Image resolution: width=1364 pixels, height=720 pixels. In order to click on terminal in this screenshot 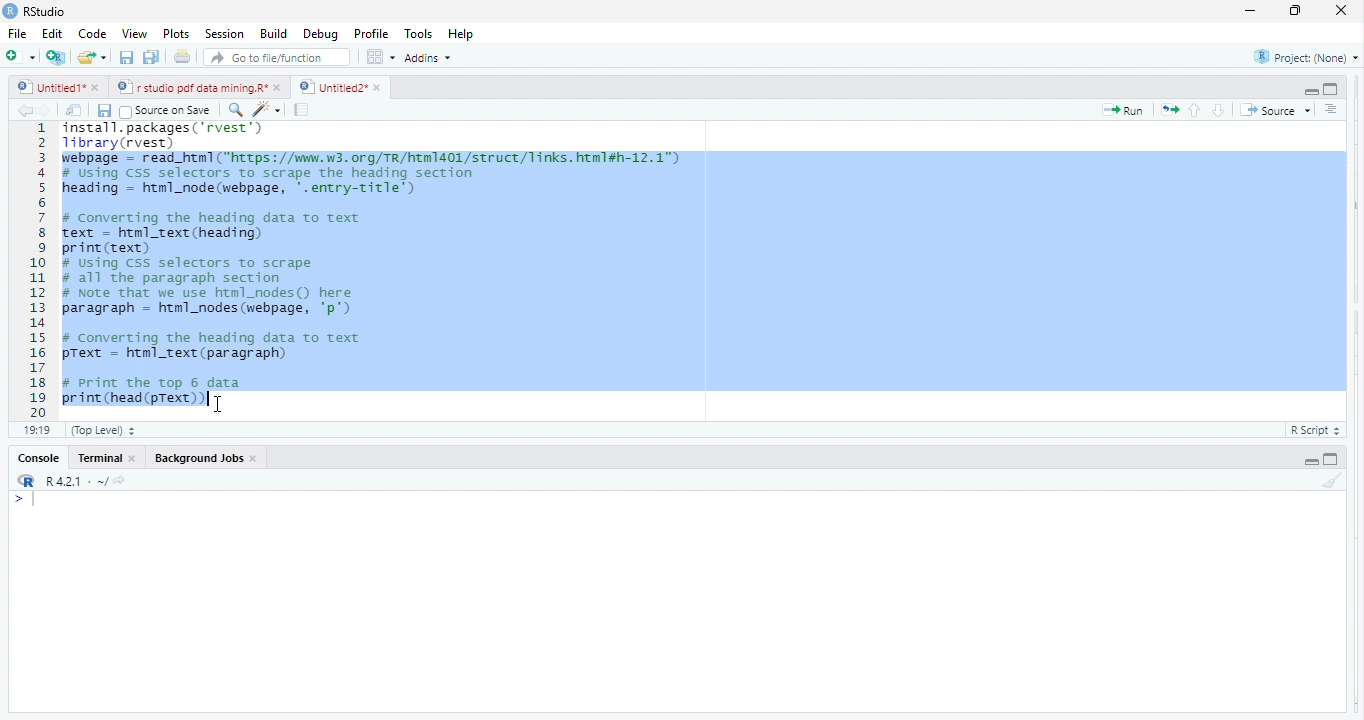, I will do `click(102, 458)`.